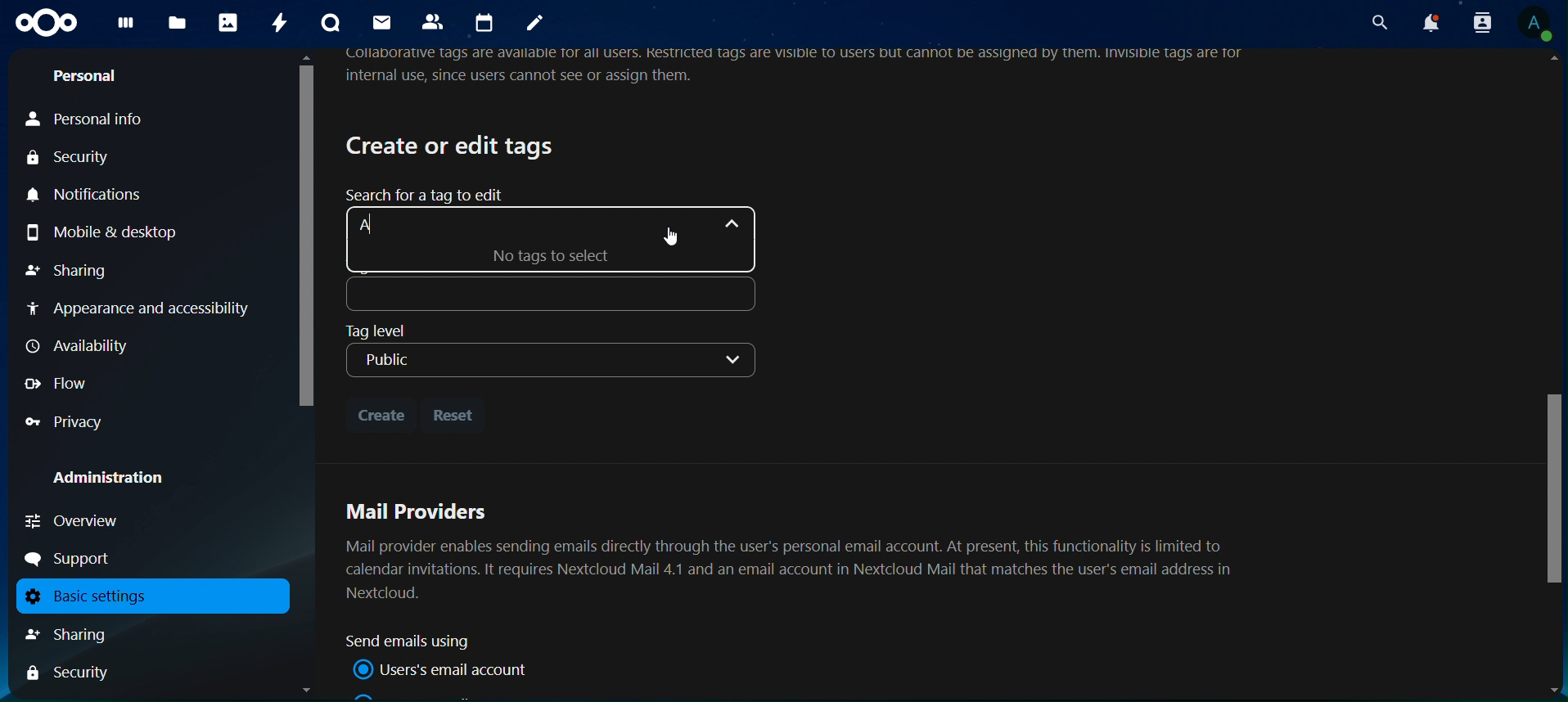 This screenshot has height=702, width=1568. I want to click on appearance and accessibility, so click(141, 311).